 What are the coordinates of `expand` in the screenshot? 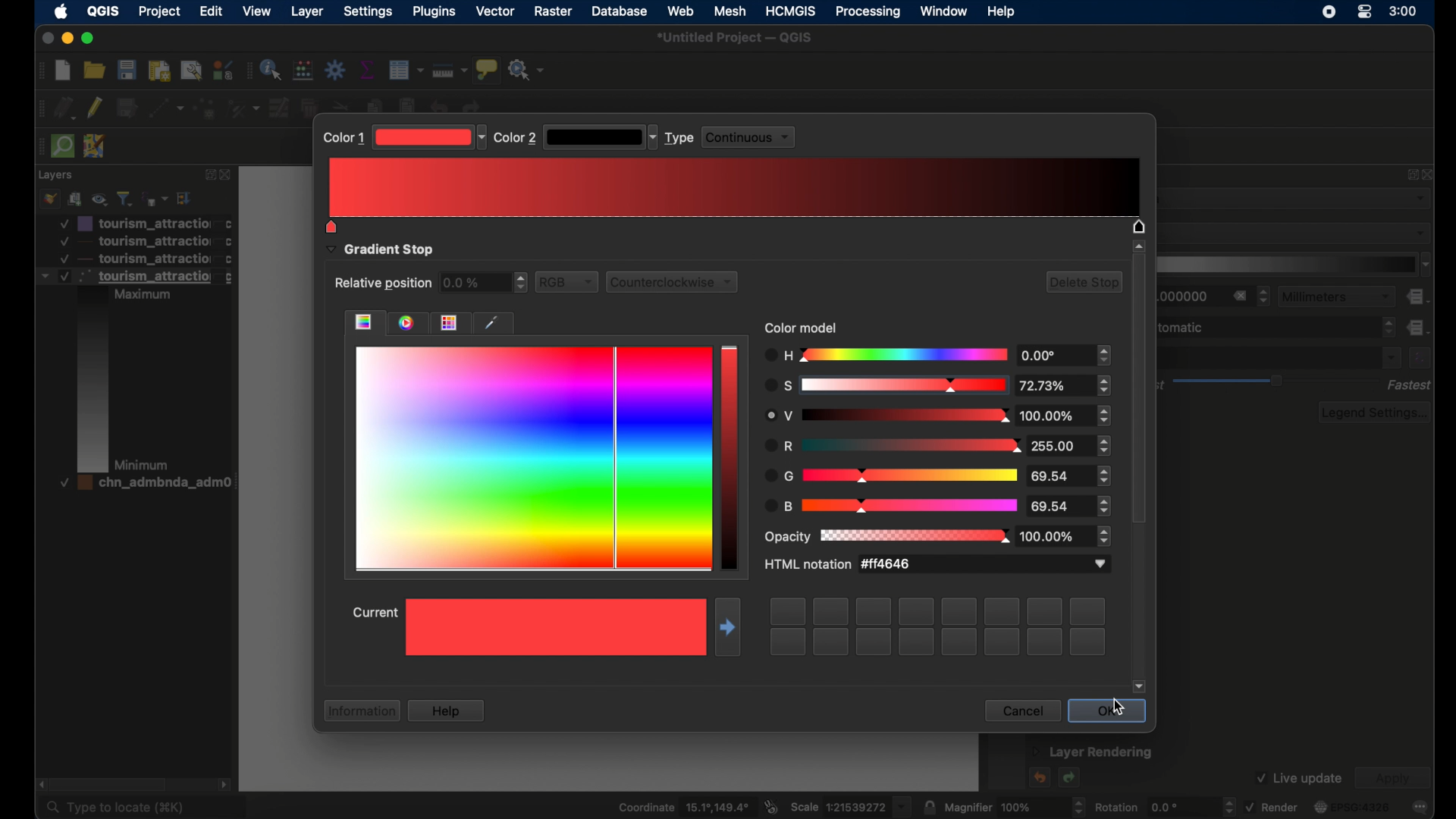 It's located at (186, 198).